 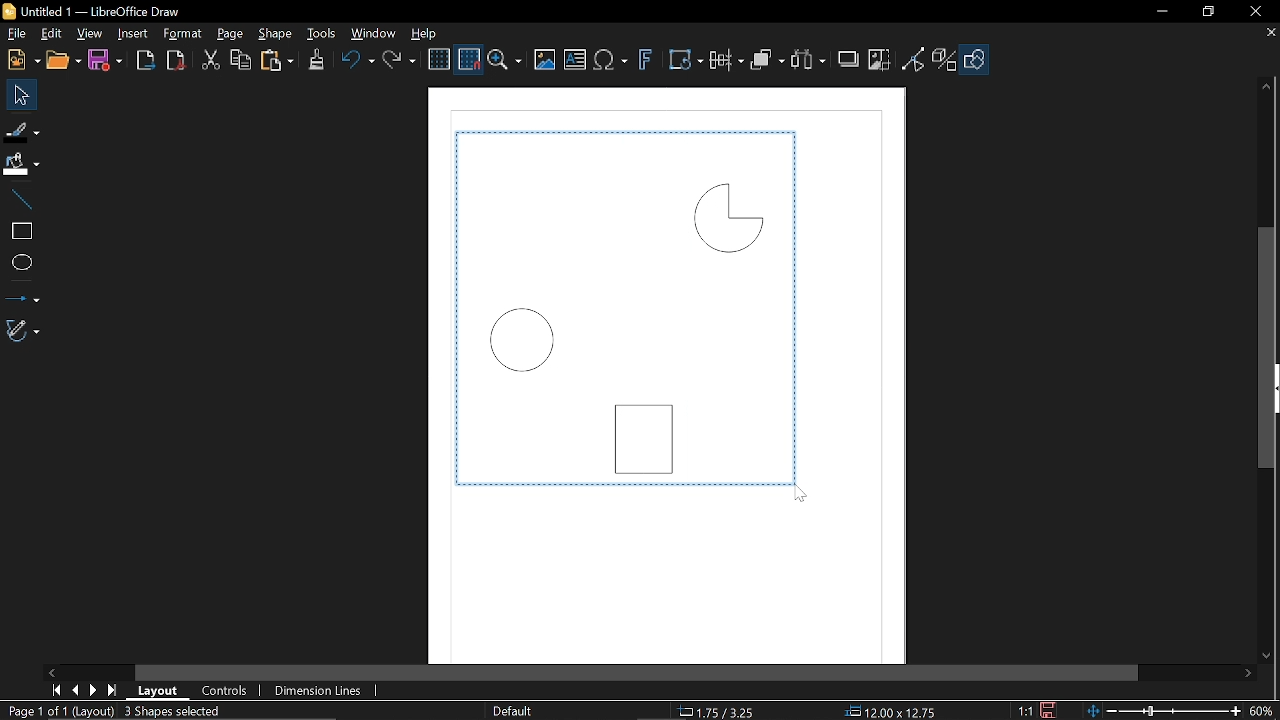 I want to click on Window, so click(x=373, y=34).